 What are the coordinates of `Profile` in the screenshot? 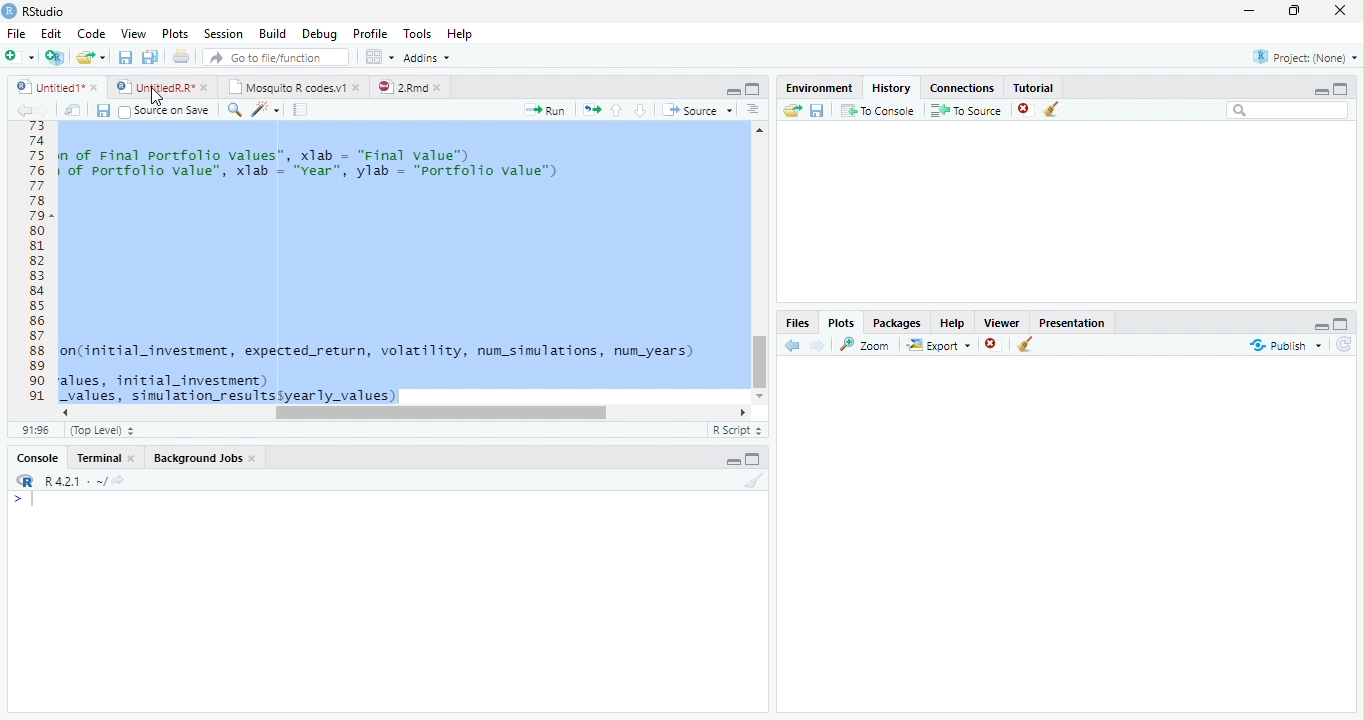 It's located at (369, 33).